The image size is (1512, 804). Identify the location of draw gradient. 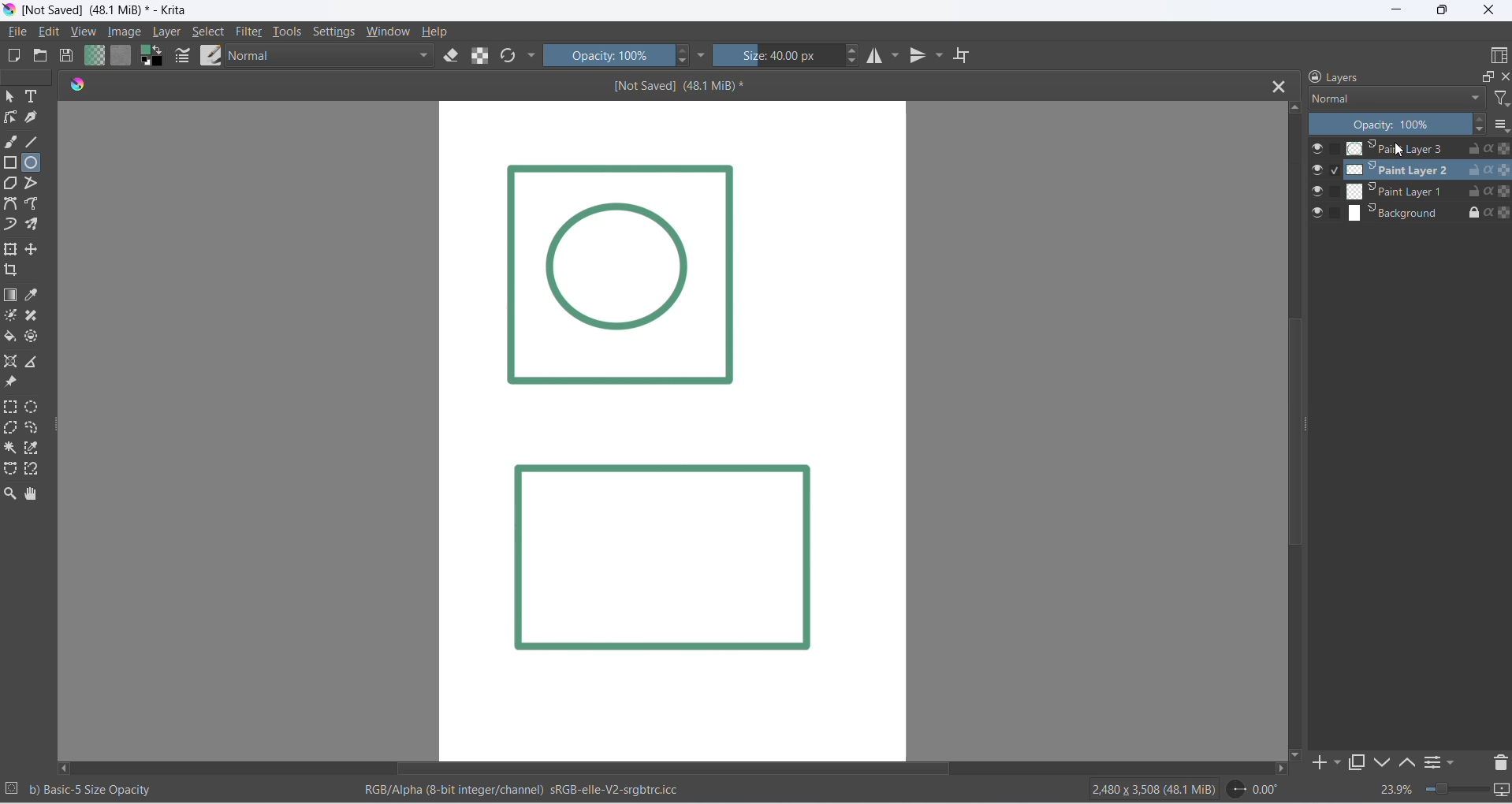
(11, 296).